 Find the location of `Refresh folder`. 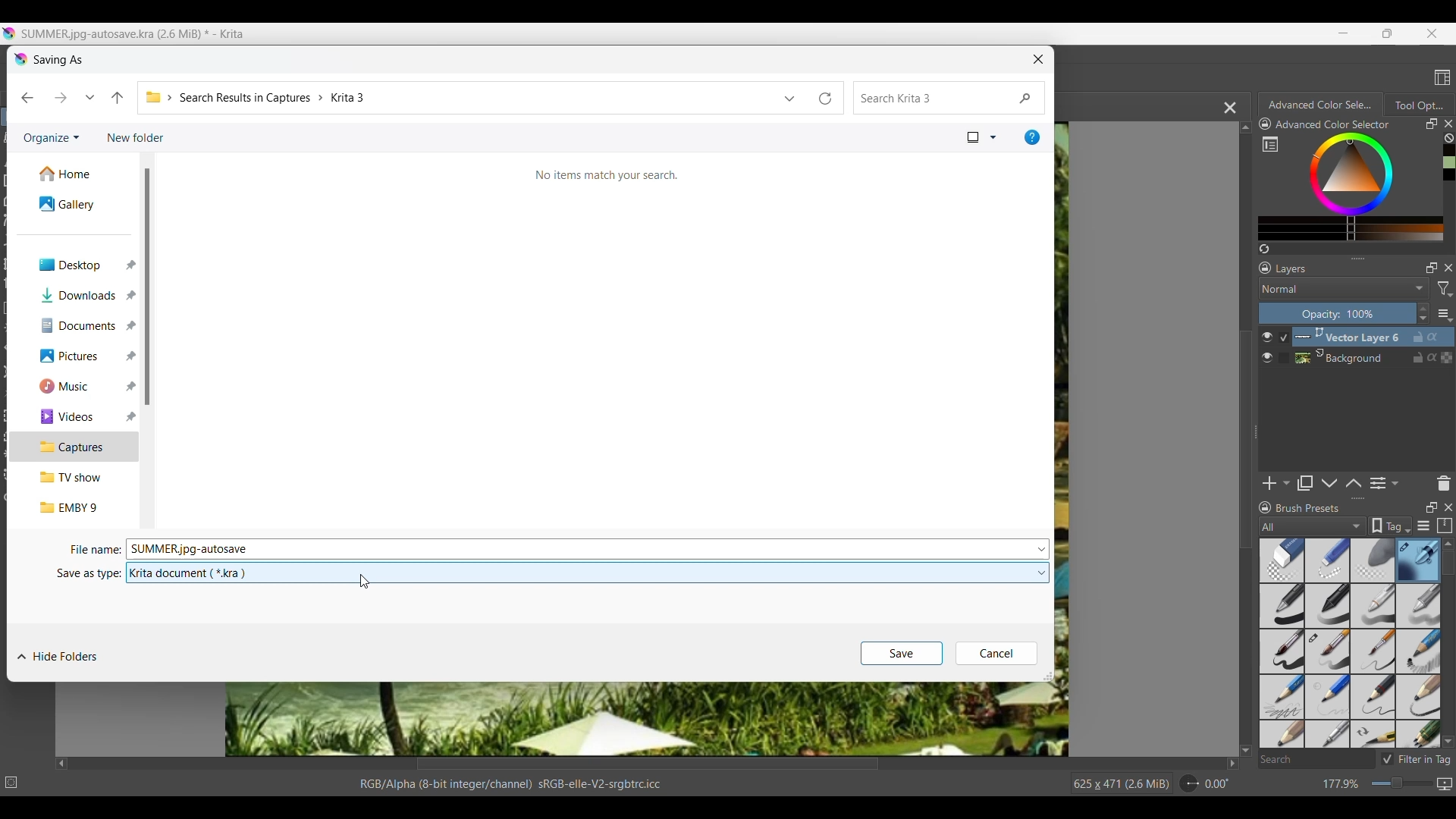

Refresh folder is located at coordinates (828, 98).